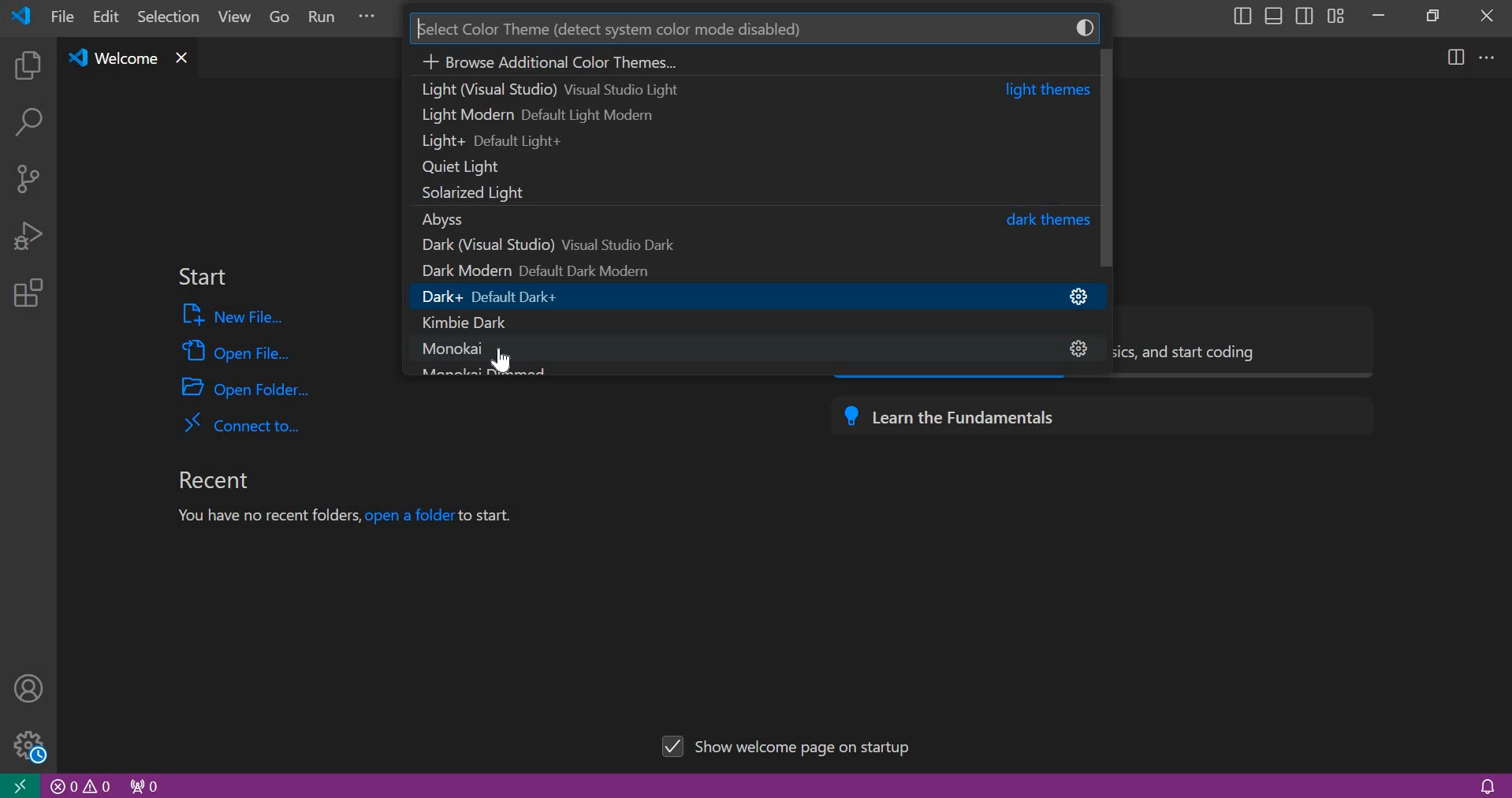 This screenshot has height=798, width=1512. Describe the element at coordinates (169, 16) in the screenshot. I see `selection` at that location.